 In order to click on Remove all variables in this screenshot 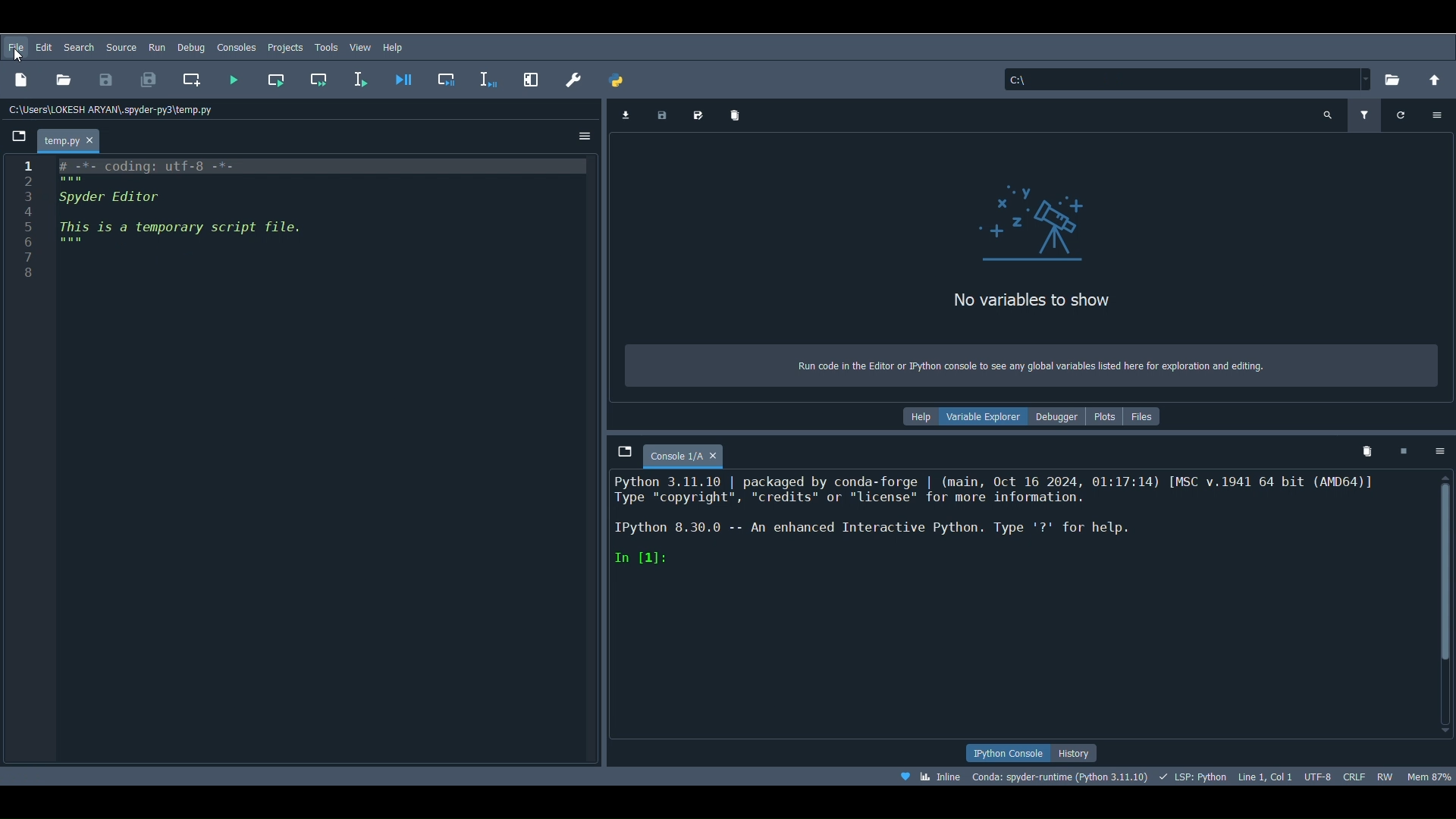, I will do `click(734, 112)`.